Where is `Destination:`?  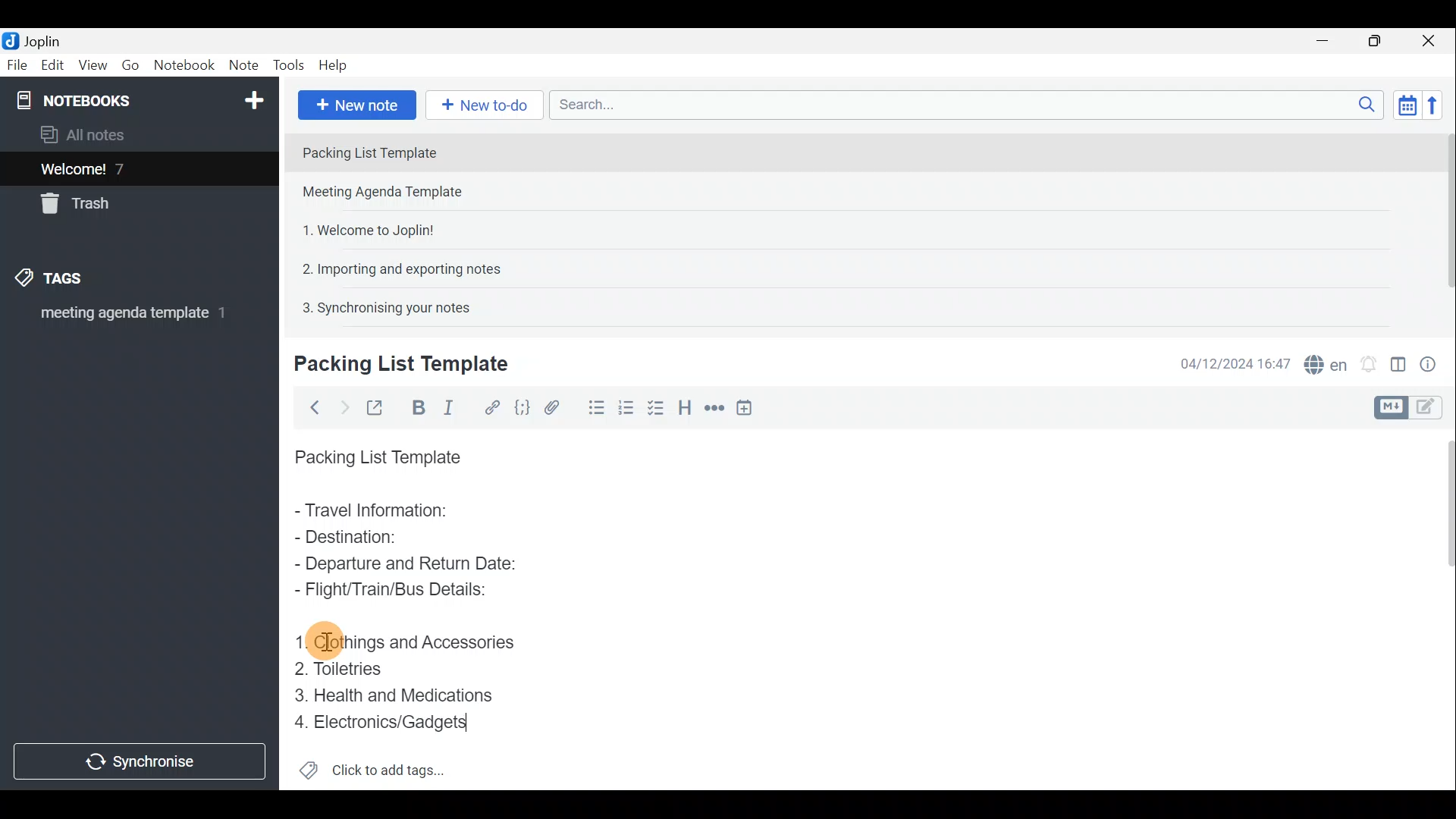
Destination: is located at coordinates (385, 538).